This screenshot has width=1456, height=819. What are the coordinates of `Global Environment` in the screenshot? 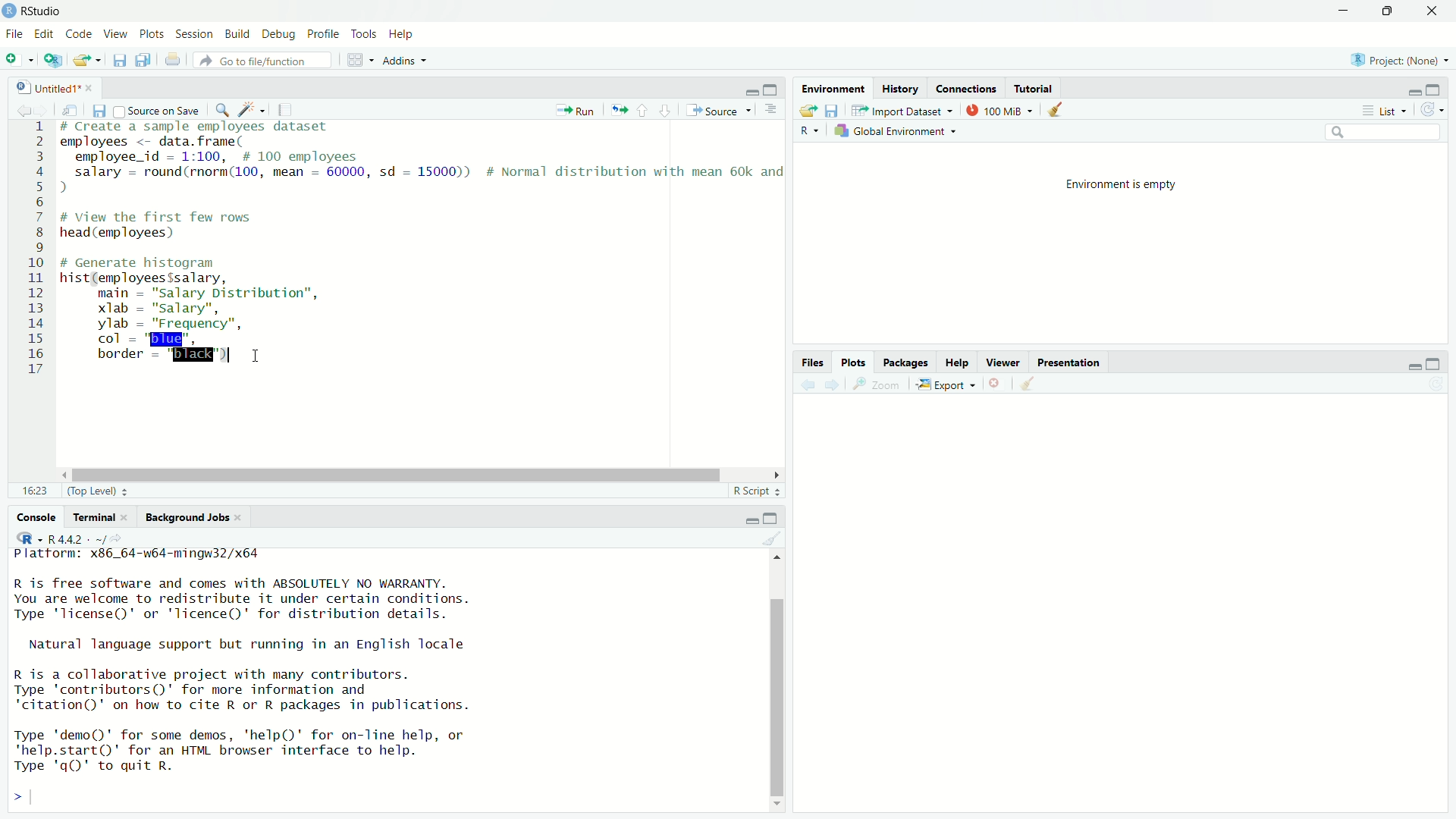 It's located at (896, 131).